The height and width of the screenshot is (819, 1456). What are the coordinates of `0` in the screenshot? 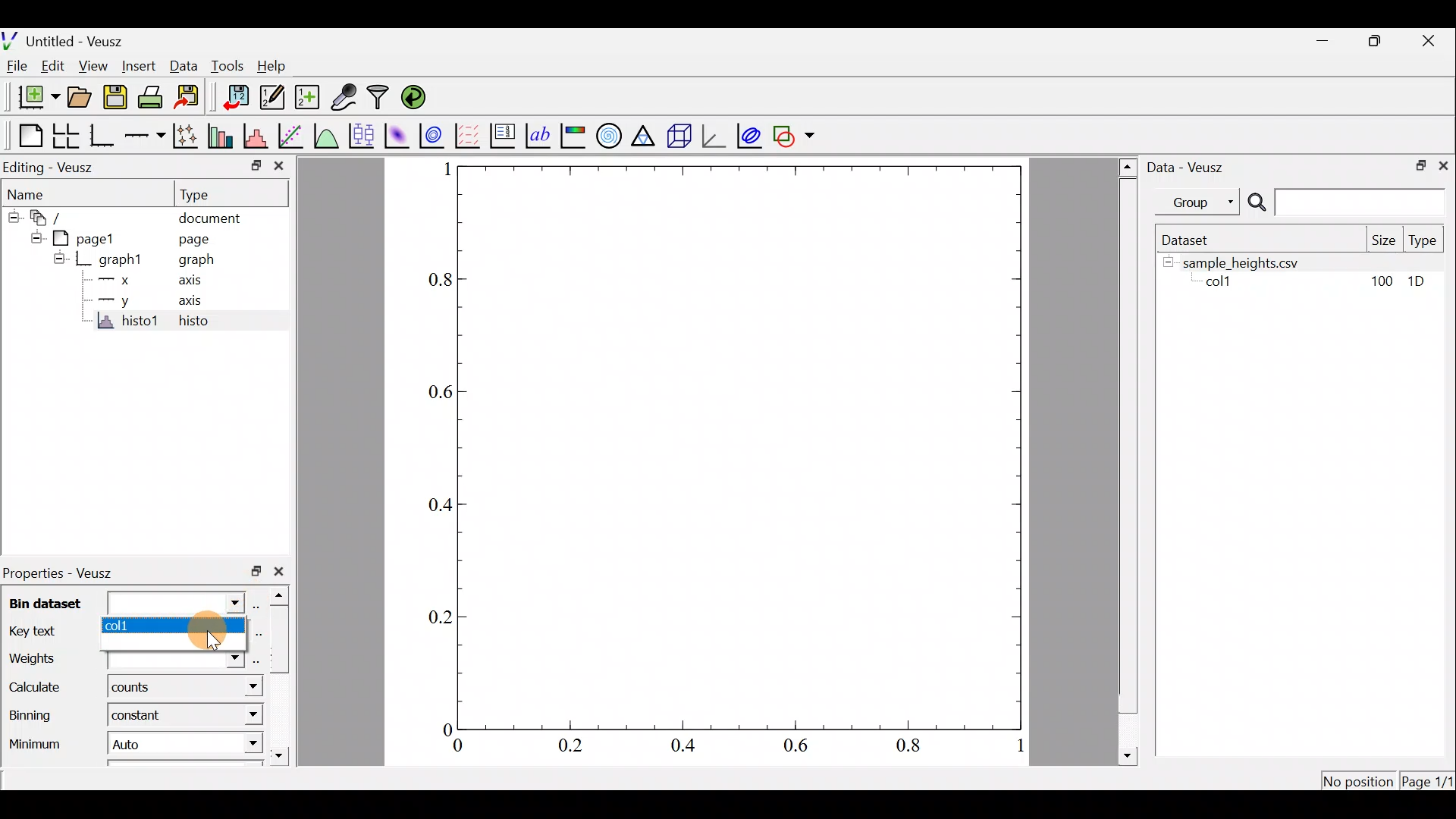 It's located at (440, 726).